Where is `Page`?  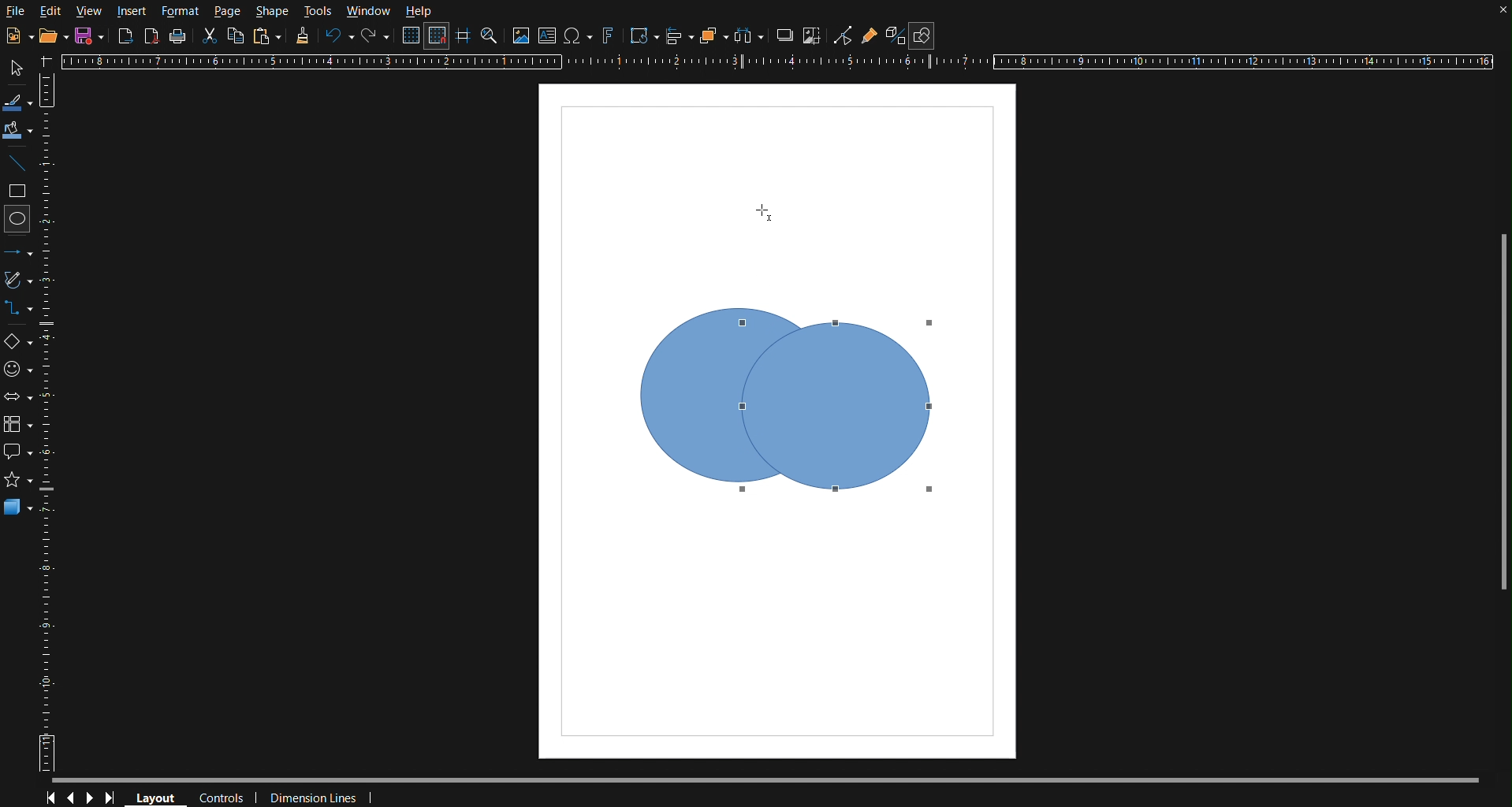 Page is located at coordinates (229, 11).